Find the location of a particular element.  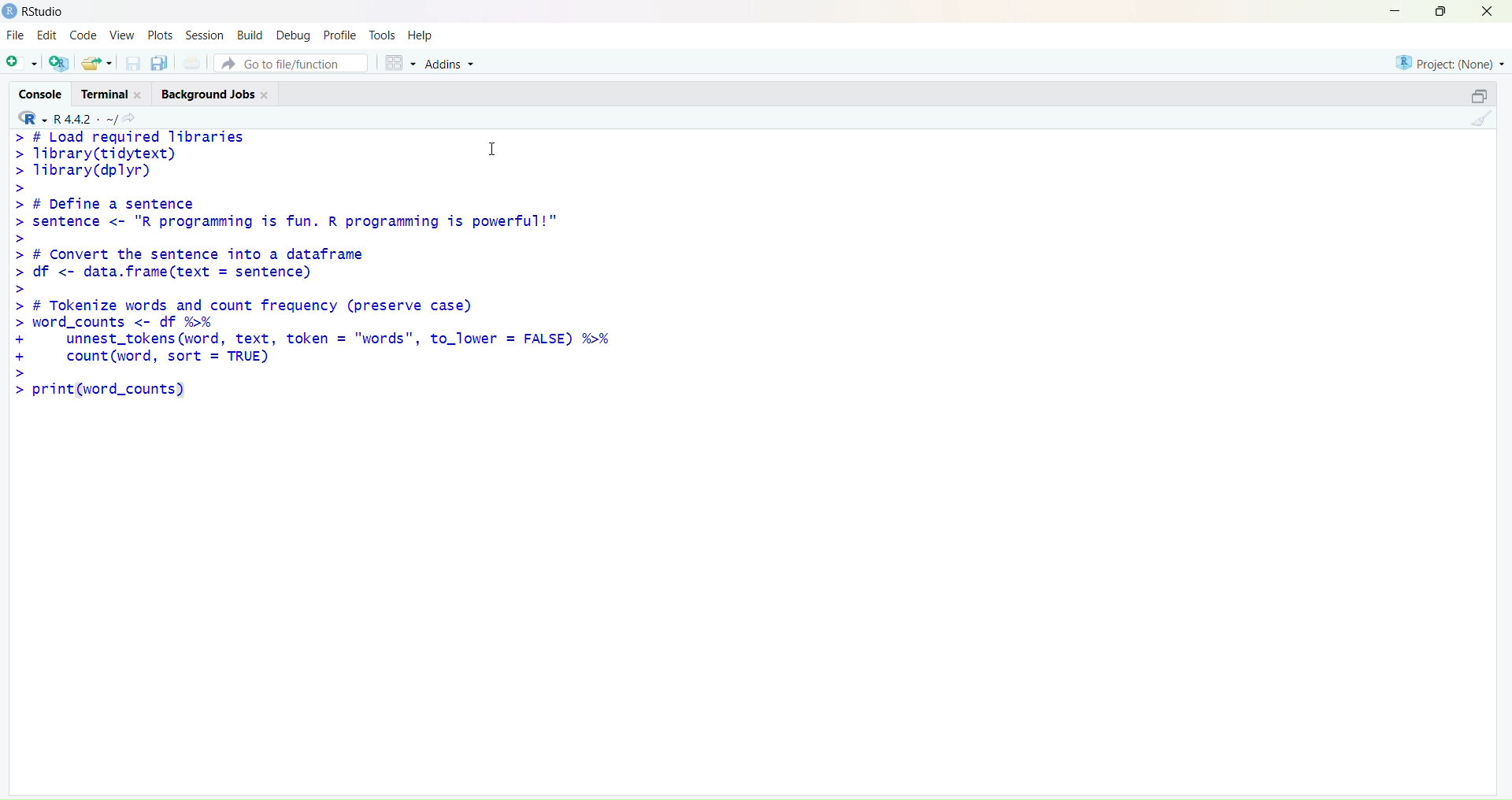

addins is located at coordinates (450, 65).